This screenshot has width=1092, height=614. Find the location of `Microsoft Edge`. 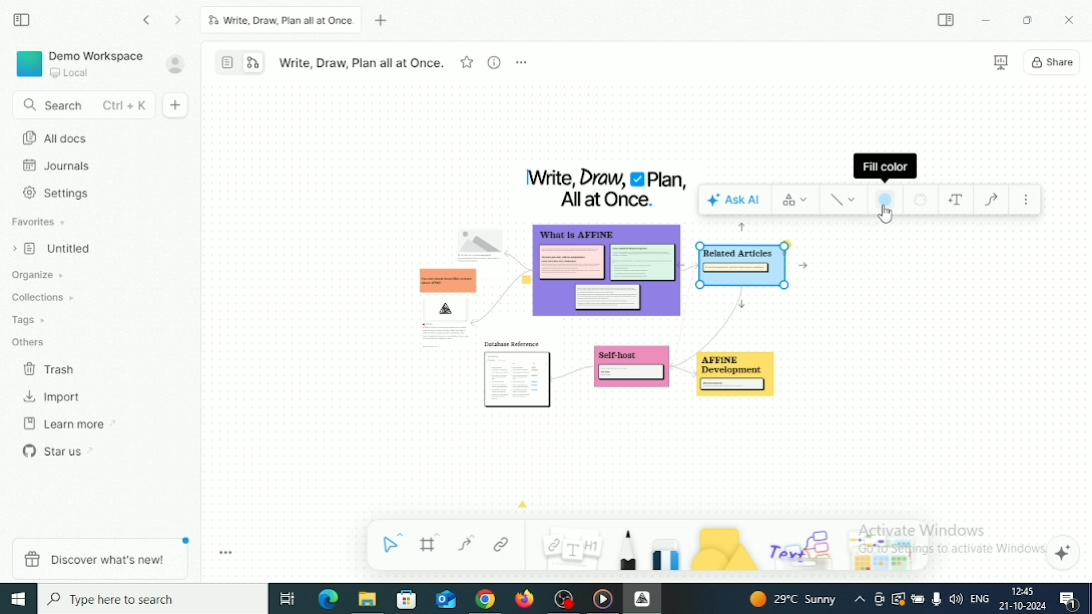

Microsoft Edge is located at coordinates (328, 598).